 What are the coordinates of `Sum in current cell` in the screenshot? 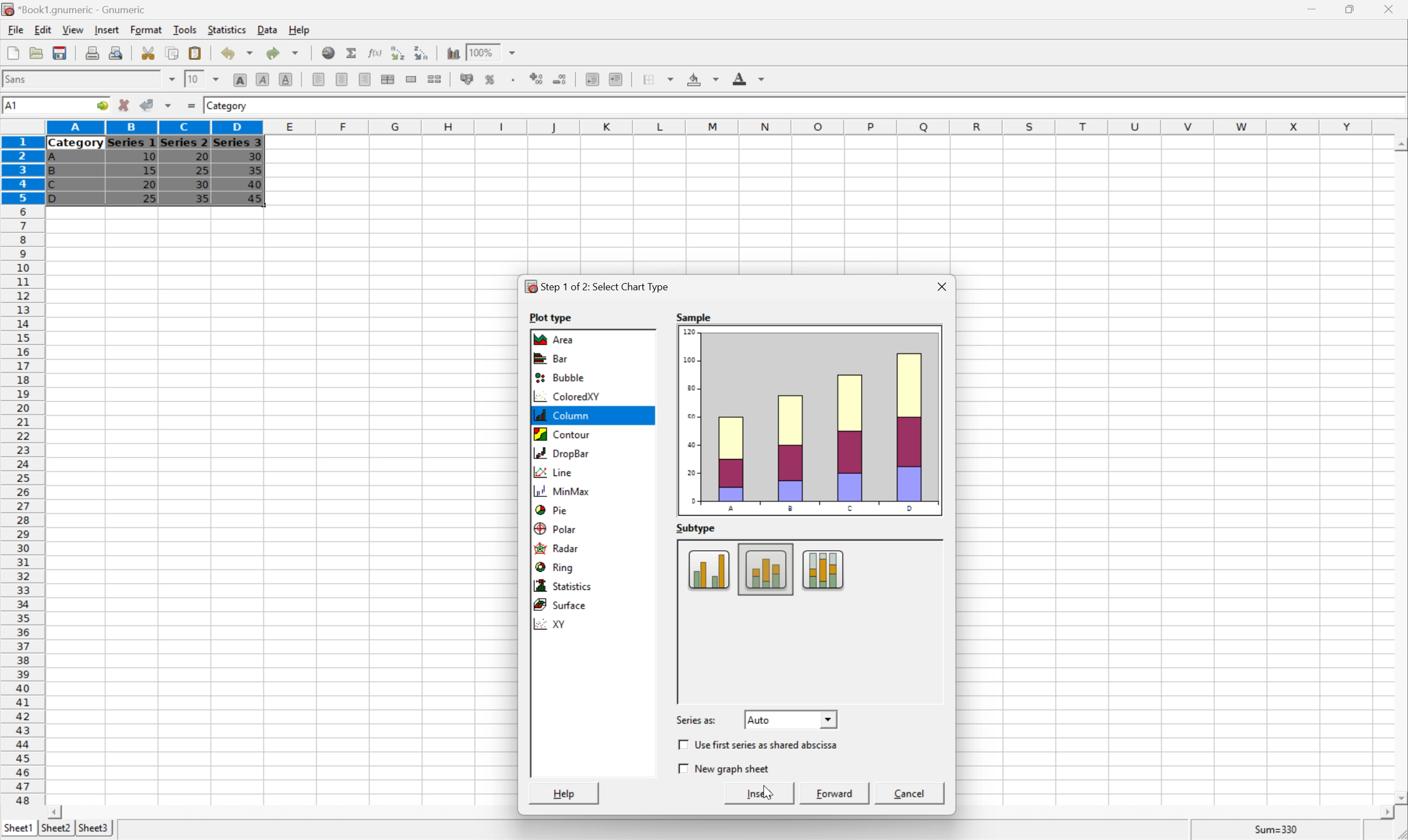 It's located at (353, 53).